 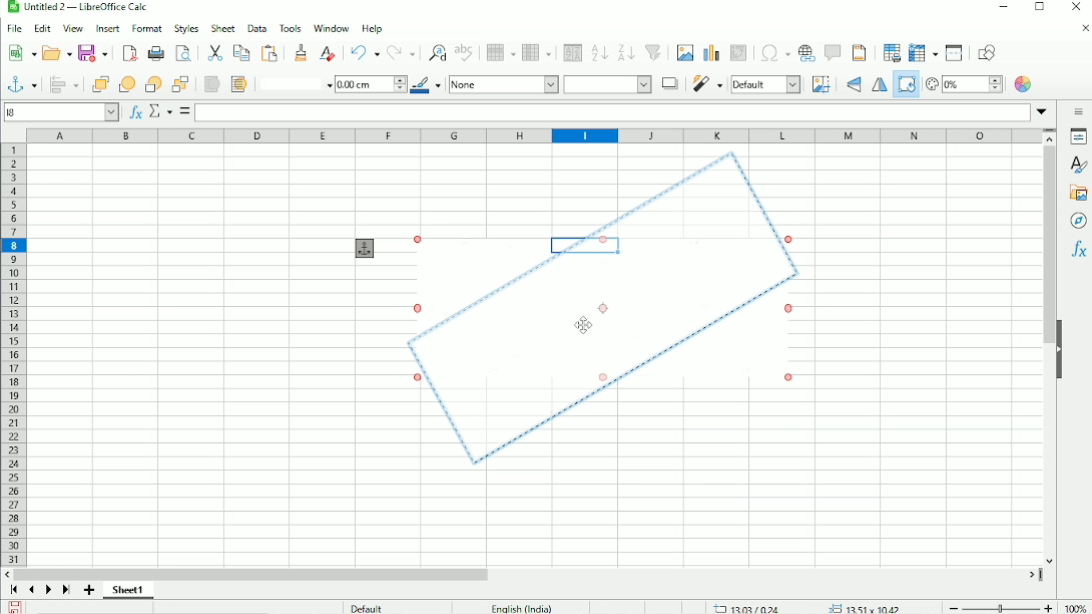 What do you see at coordinates (626, 52) in the screenshot?
I see `Sort descending` at bounding box center [626, 52].